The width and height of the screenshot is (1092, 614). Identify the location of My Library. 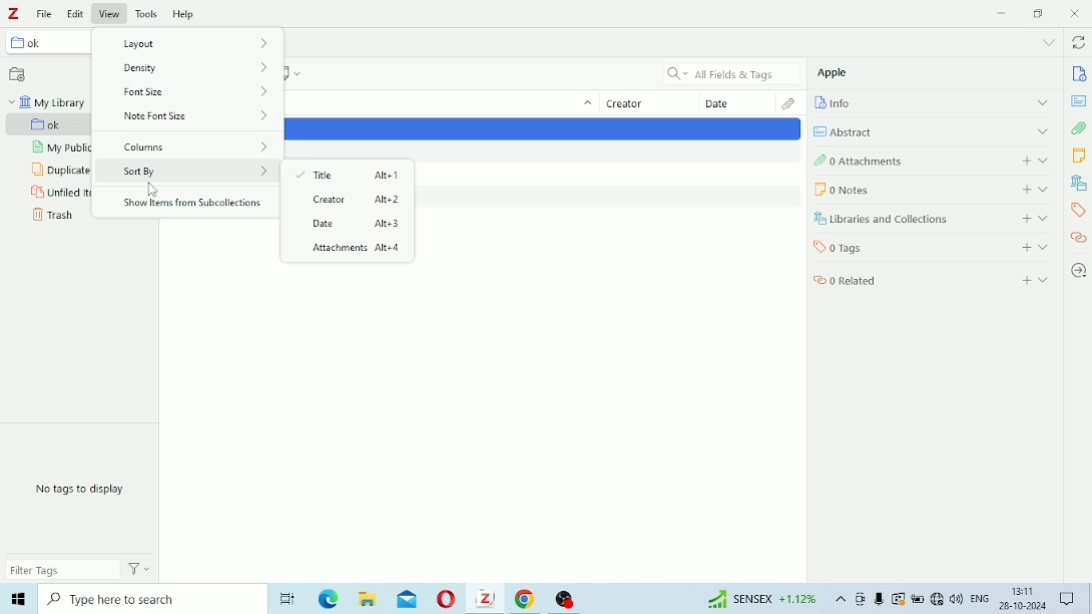
(51, 102).